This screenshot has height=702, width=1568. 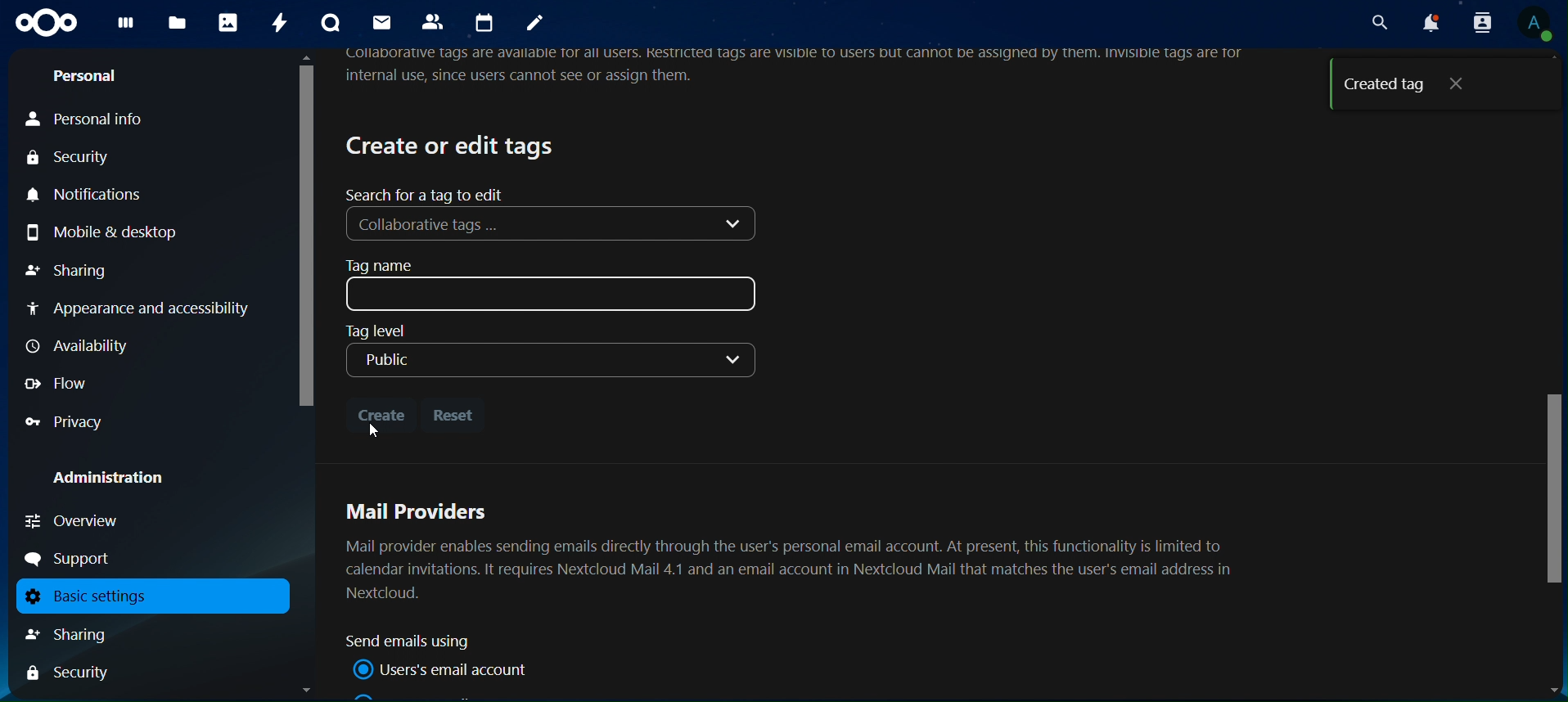 What do you see at coordinates (457, 415) in the screenshot?
I see `reset` at bounding box center [457, 415].